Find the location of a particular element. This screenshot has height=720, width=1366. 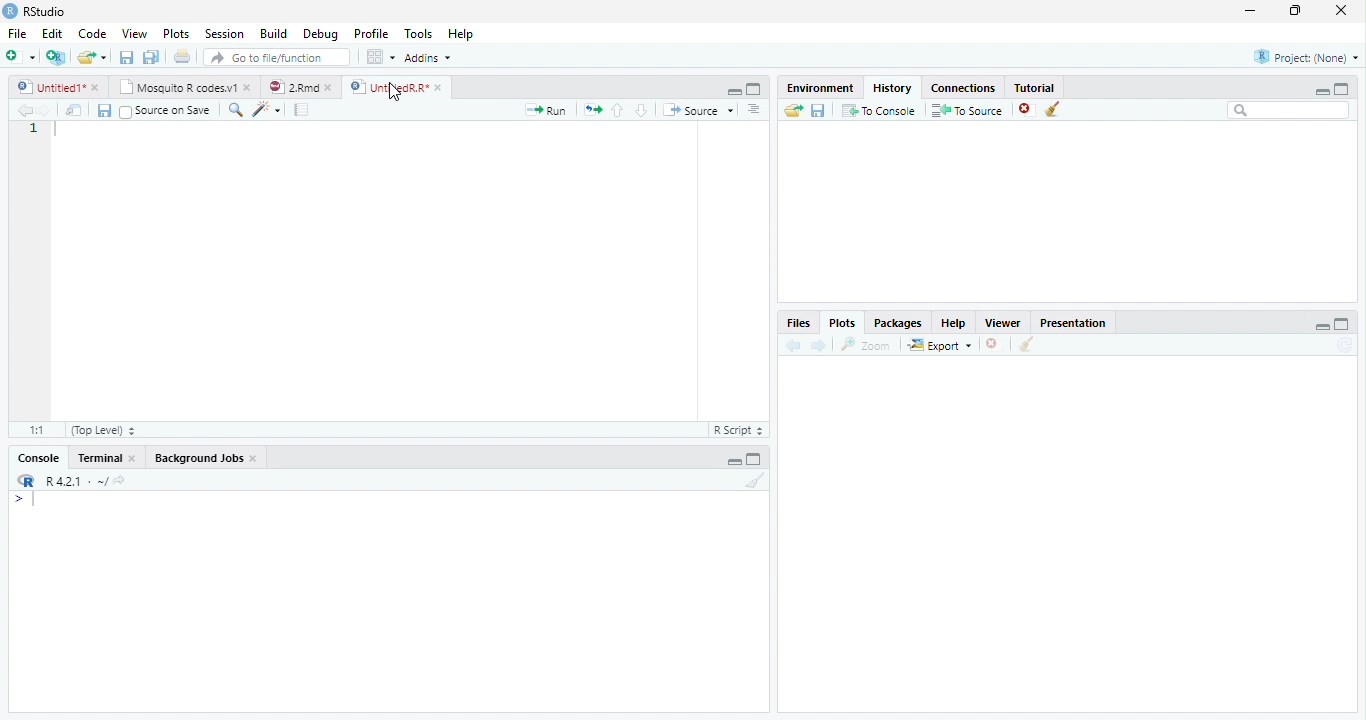

Re-run the previous code region is located at coordinates (592, 109).